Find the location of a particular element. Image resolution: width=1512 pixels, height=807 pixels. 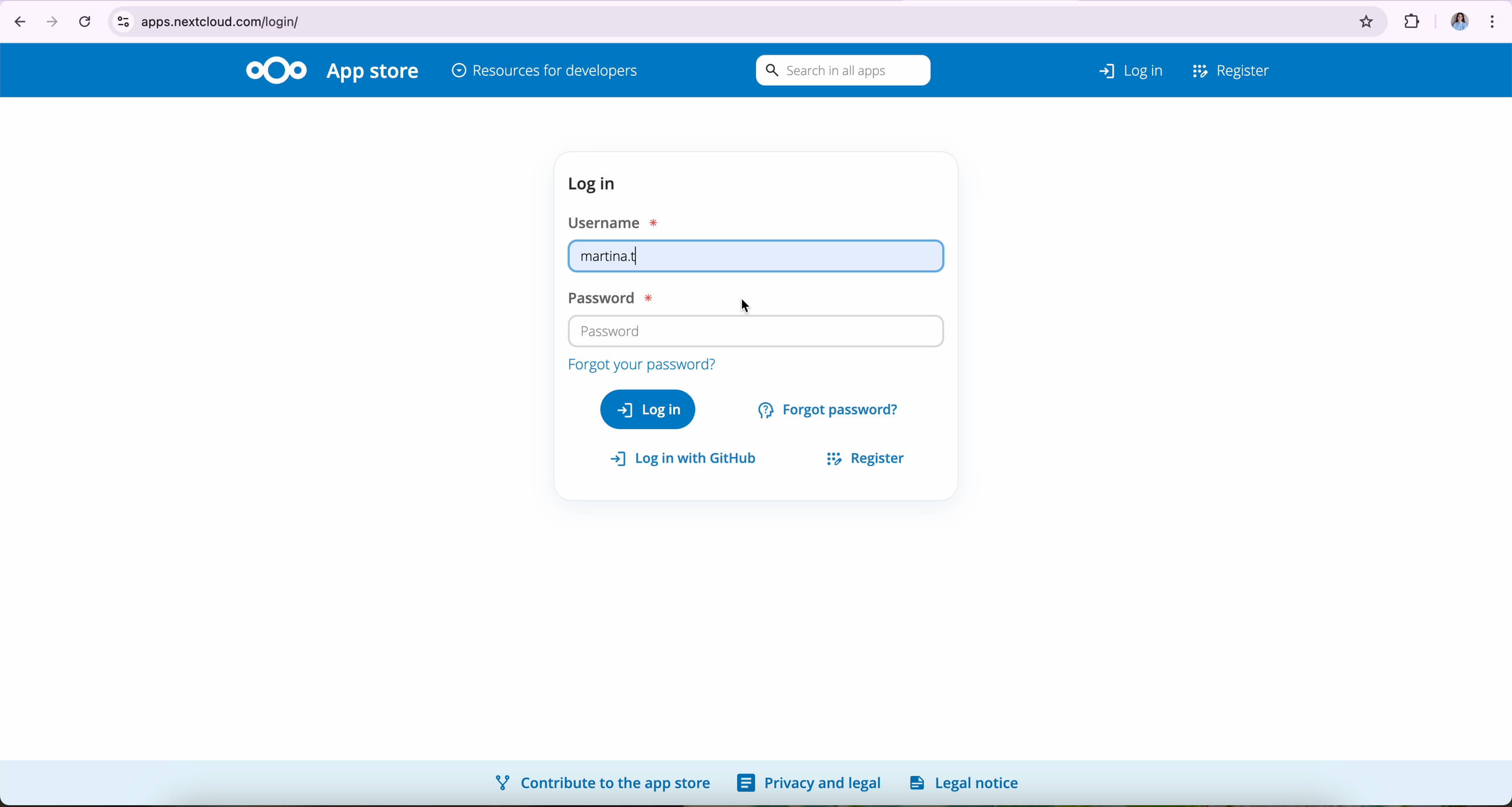

register is located at coordinates (860, 456).